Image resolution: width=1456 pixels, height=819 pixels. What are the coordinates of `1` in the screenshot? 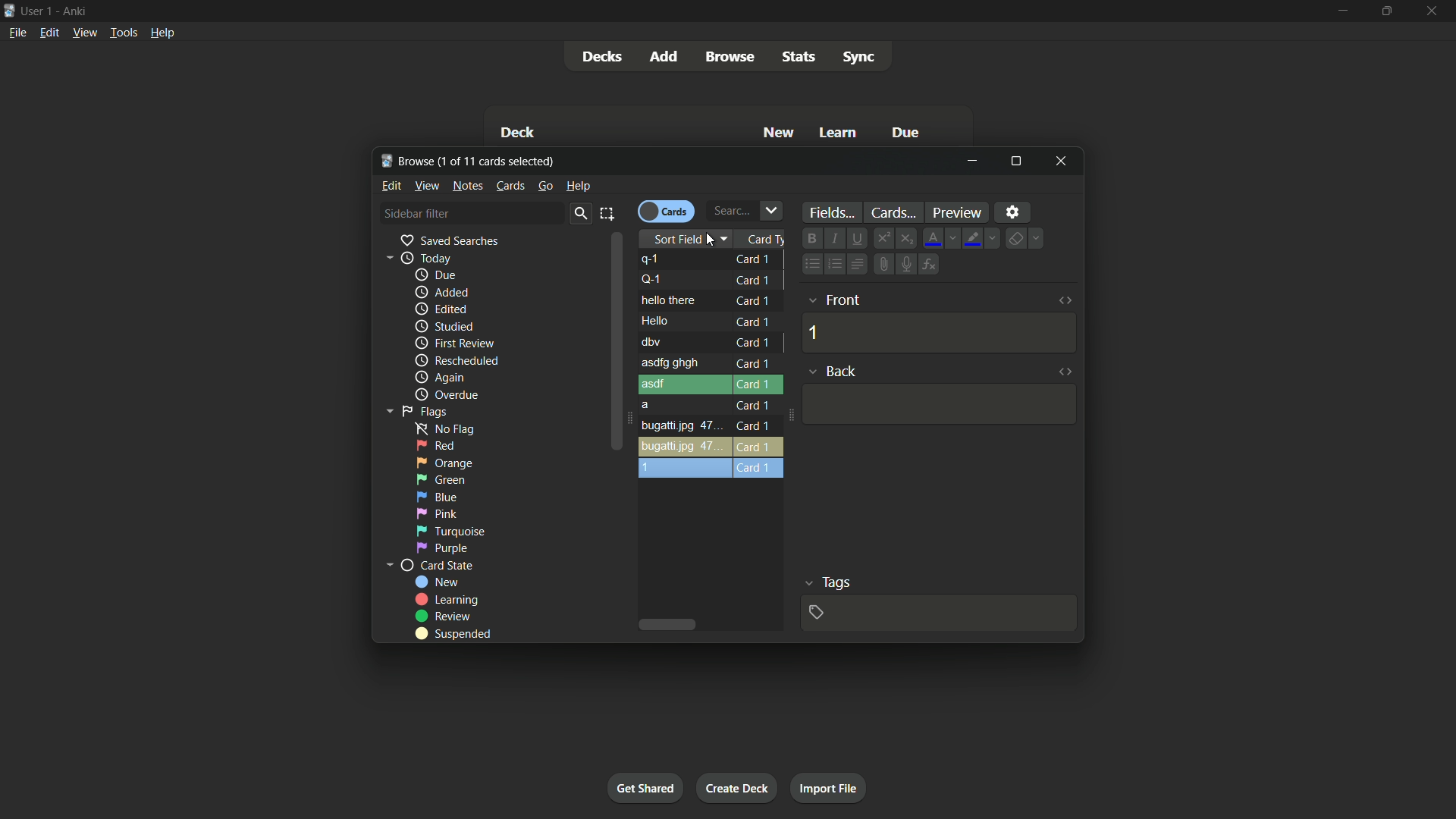 It's located at (814, 332).